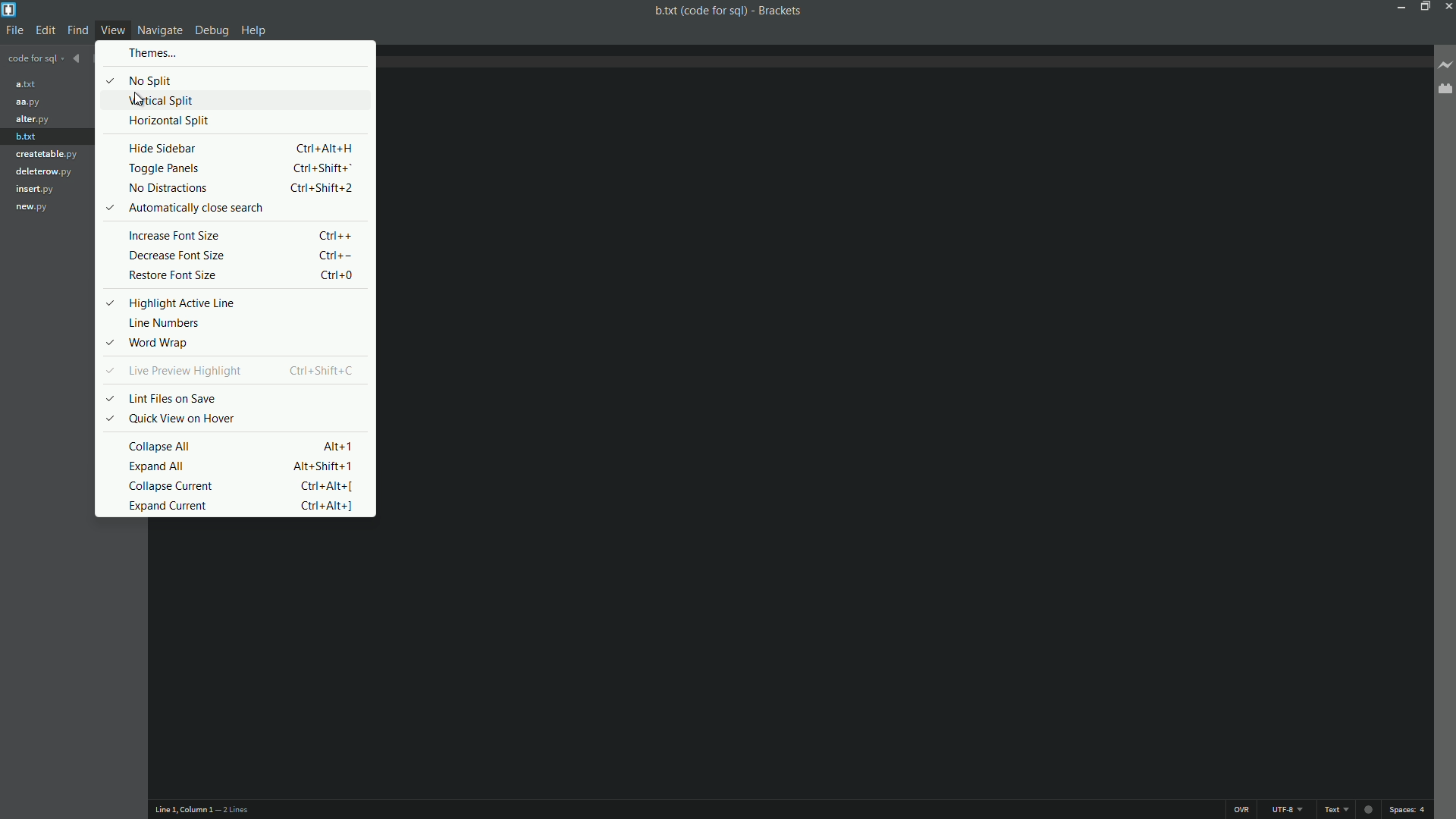  I want to click on Selected, so click(108, 82).